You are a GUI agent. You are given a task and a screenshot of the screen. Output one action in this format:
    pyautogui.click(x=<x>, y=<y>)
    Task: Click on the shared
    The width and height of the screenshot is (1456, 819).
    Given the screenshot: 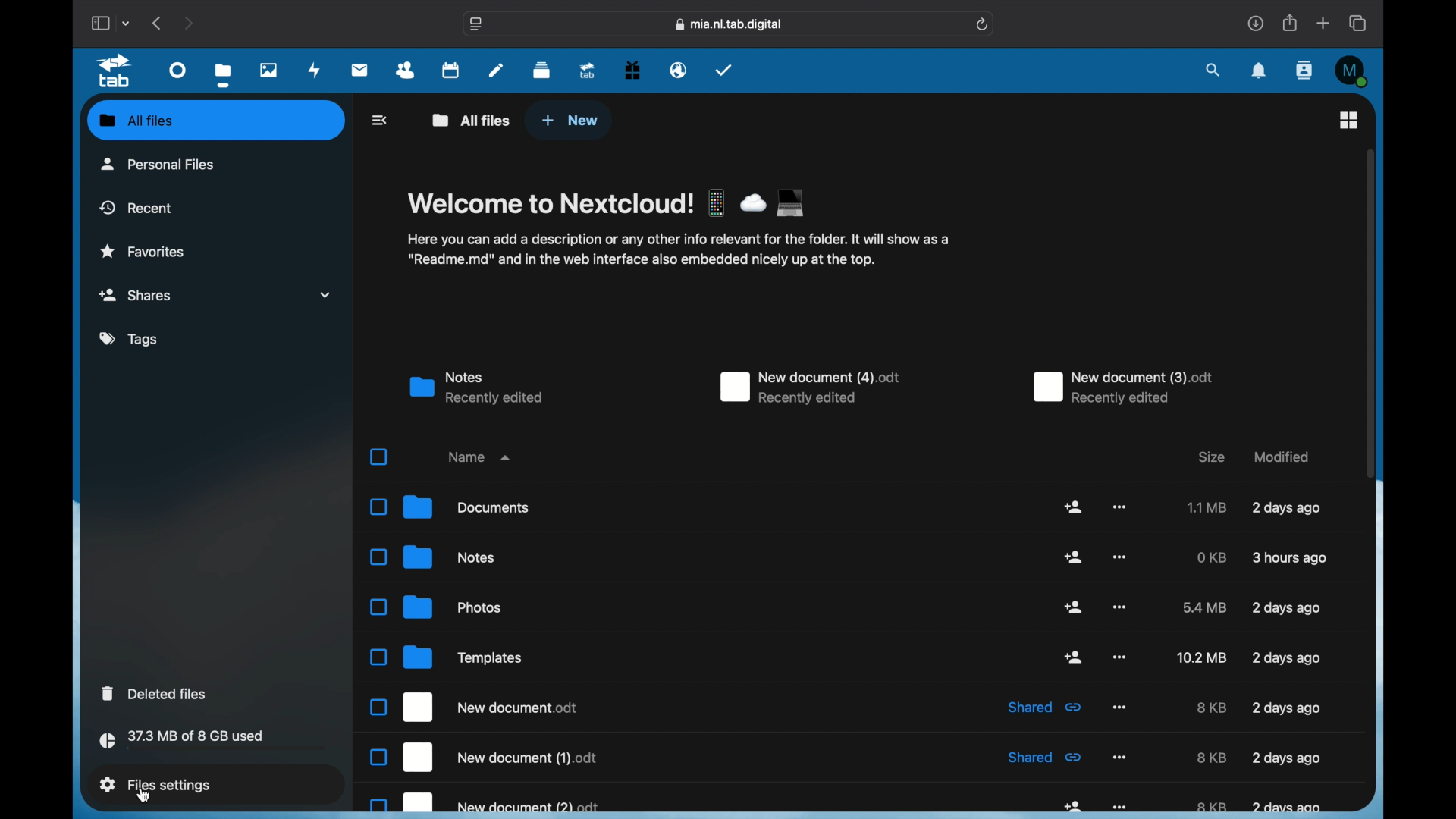 What is the action you would take?
    pyautogui.click(x=1046, y=757)
    